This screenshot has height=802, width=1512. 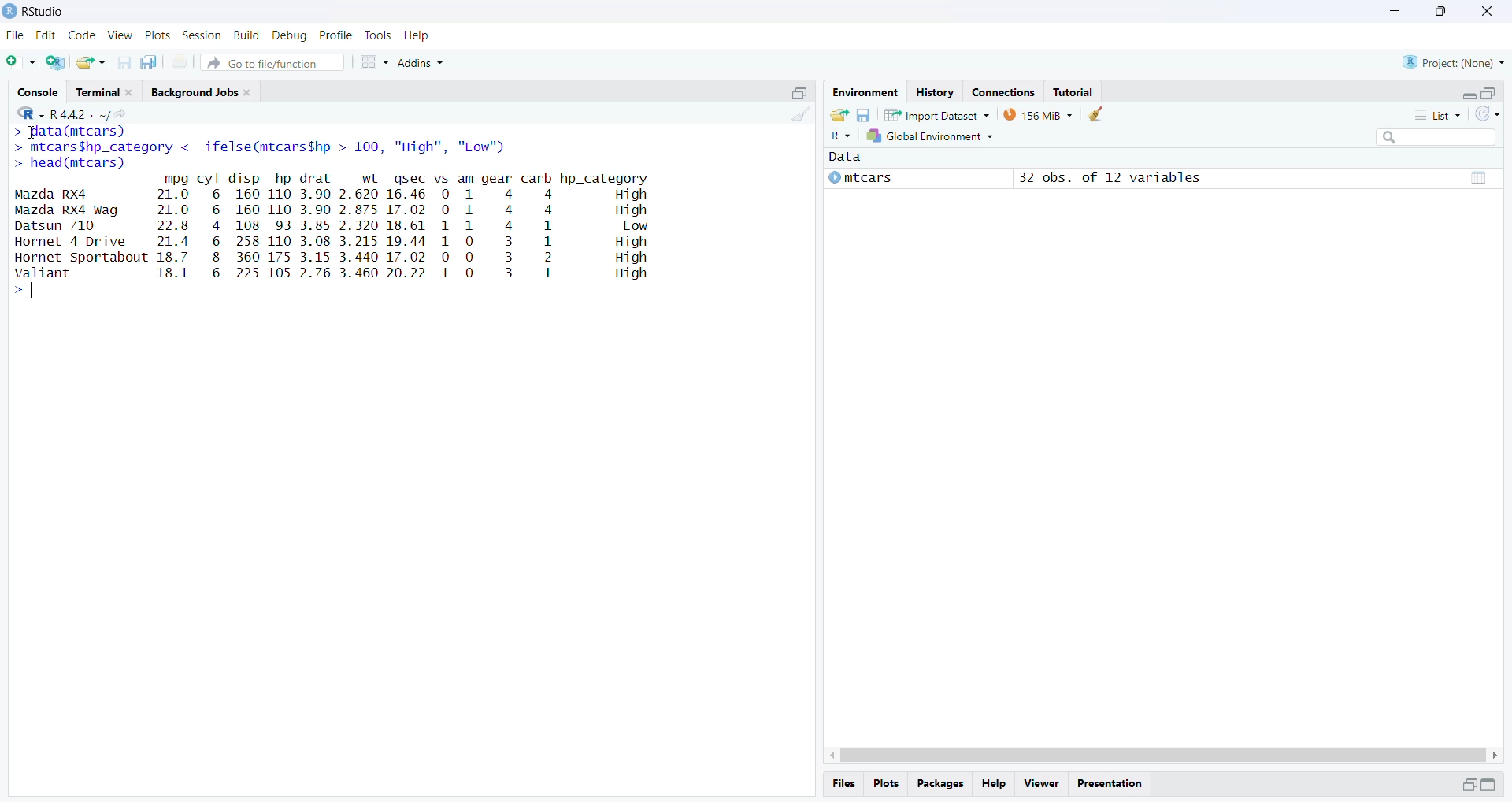 What do you see at coordinates (1488, 13) in the screenshot?
I see `Close` at bounding box center [1488, 13].